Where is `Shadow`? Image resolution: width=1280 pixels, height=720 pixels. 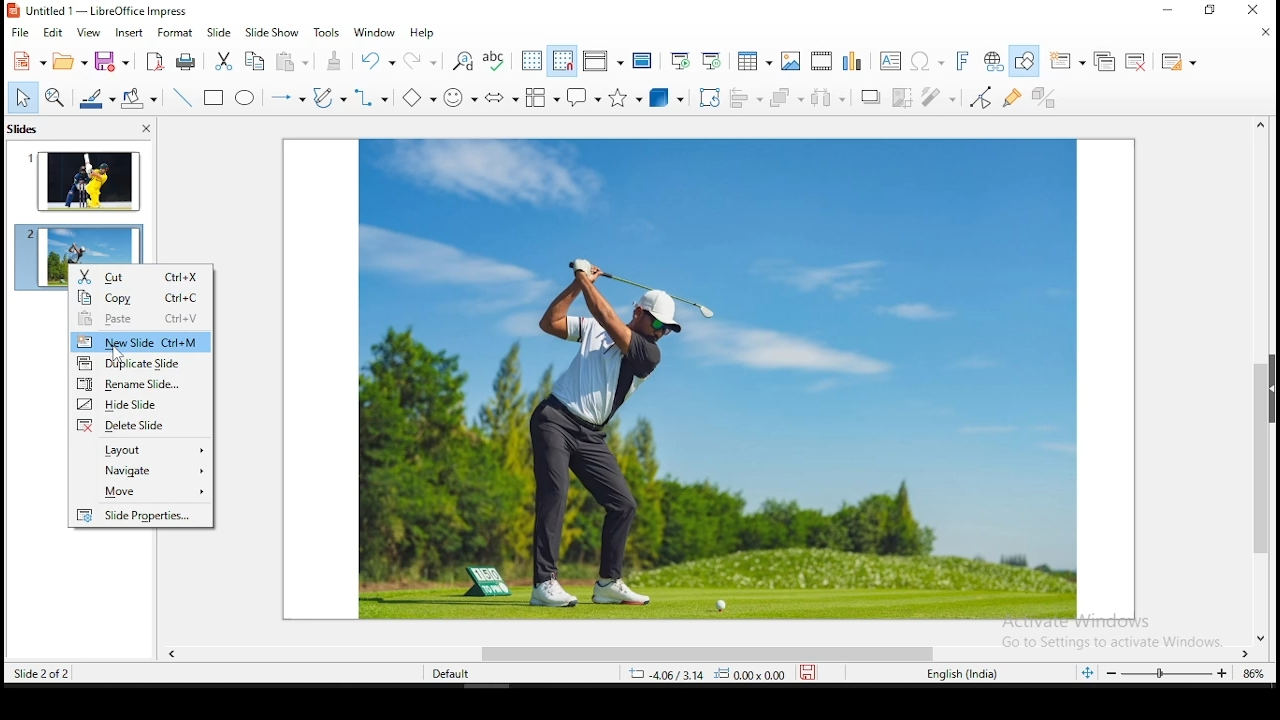 Shadow is located at coordinates (866, 98).